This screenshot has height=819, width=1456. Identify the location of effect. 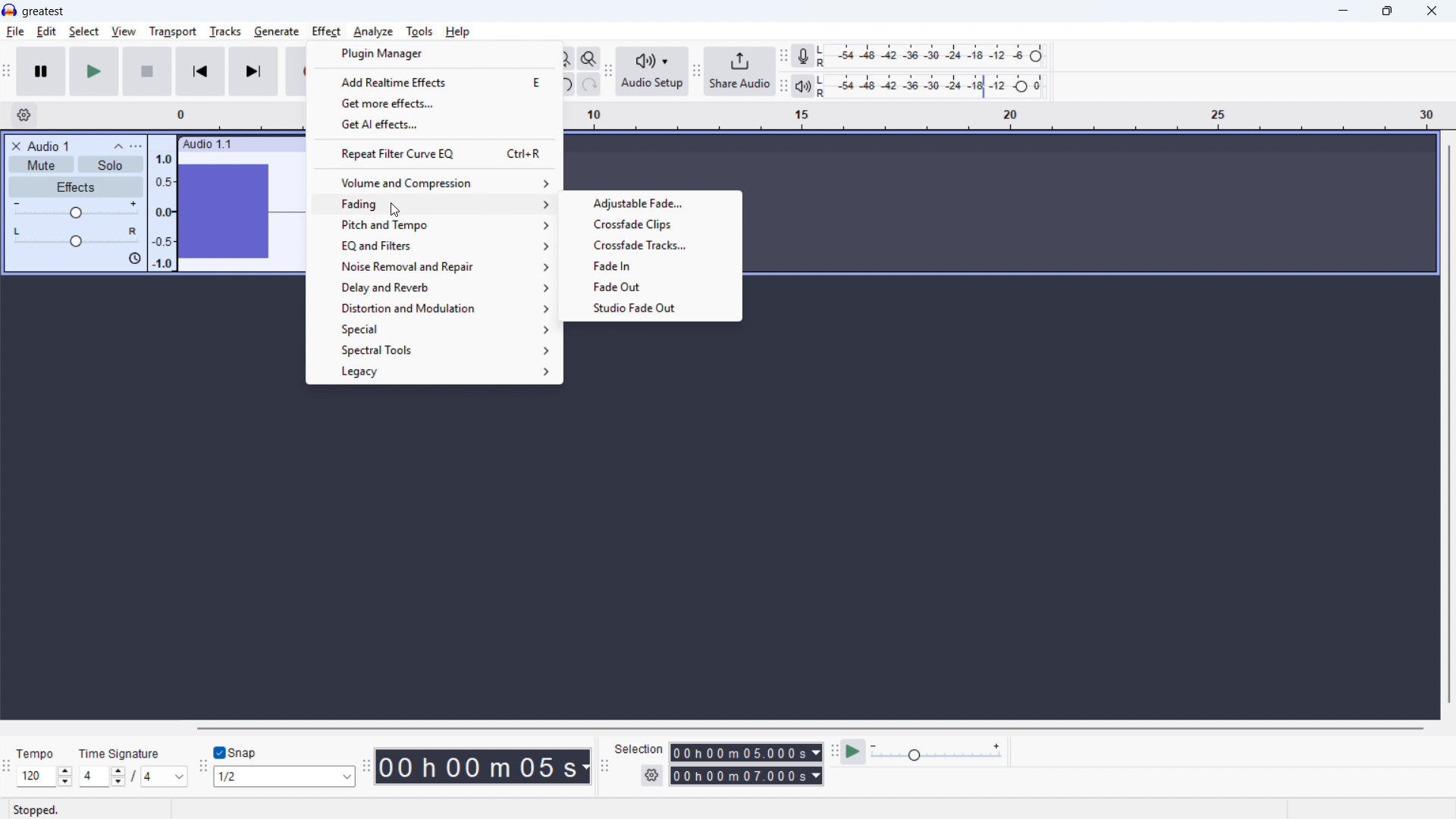
(393, 210).